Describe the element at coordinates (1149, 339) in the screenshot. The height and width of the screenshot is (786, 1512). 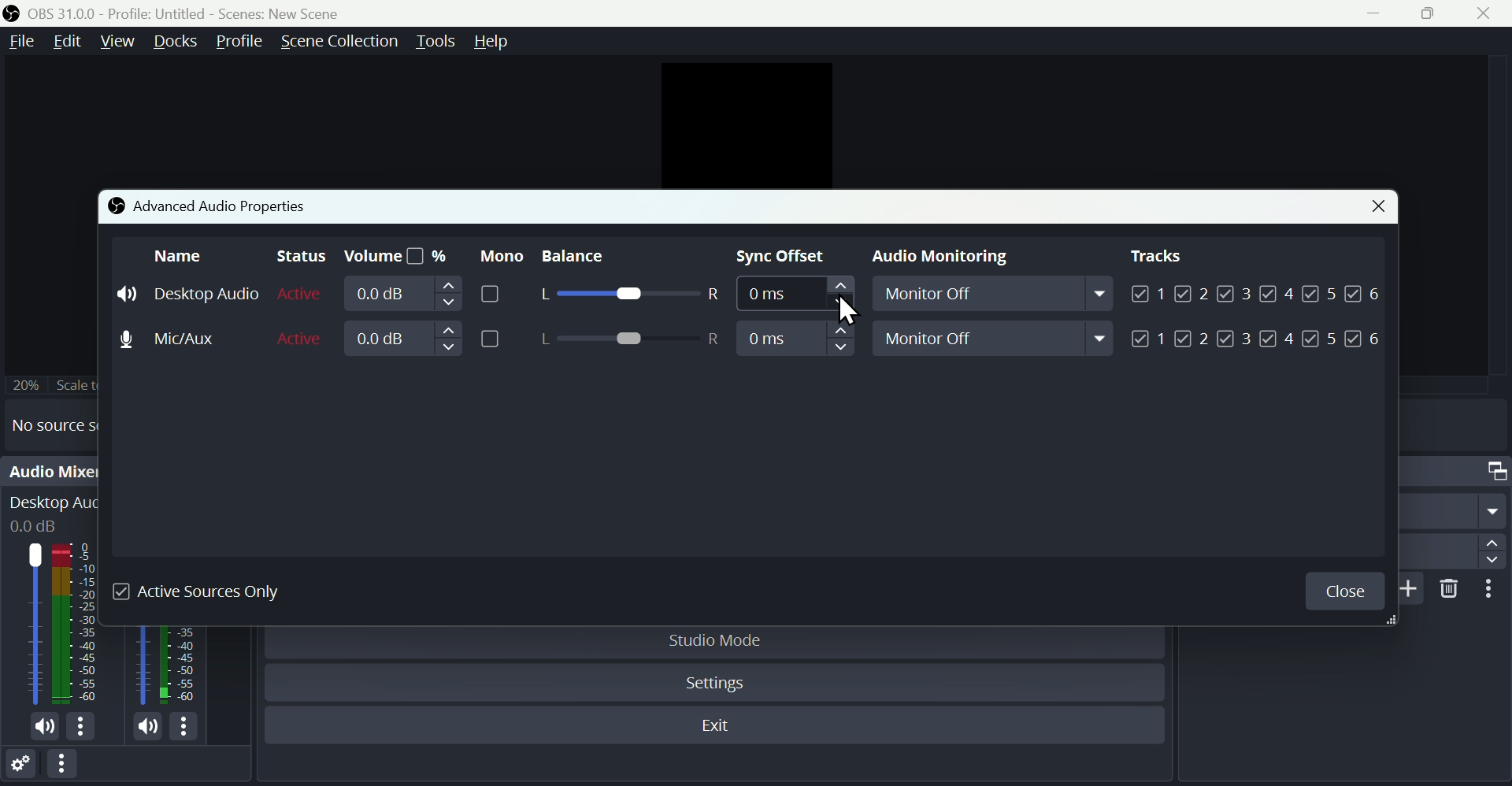
I see `(un)check Track 1` at that location.